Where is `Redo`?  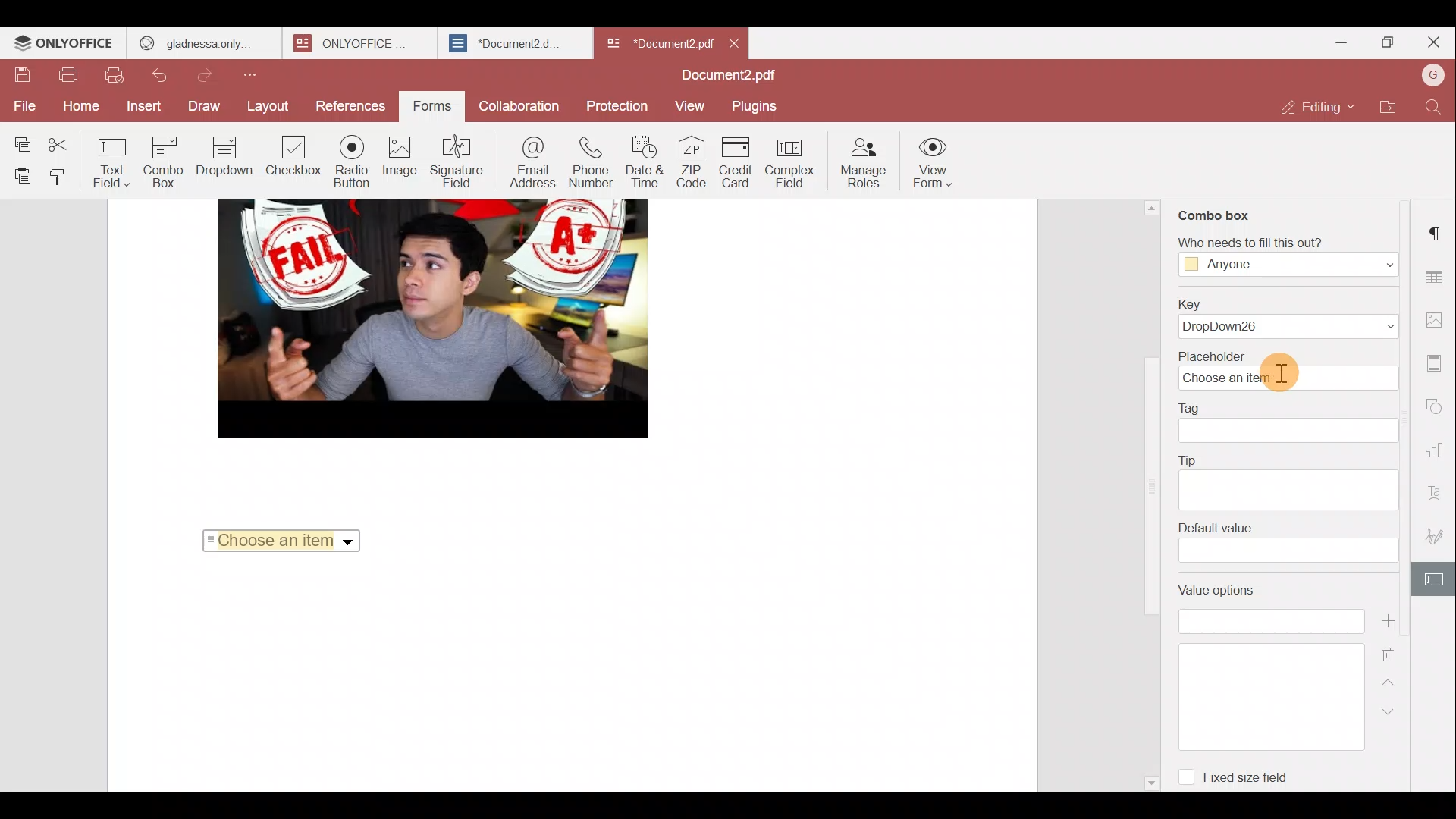 Redo is located at coordinates (212, 76).